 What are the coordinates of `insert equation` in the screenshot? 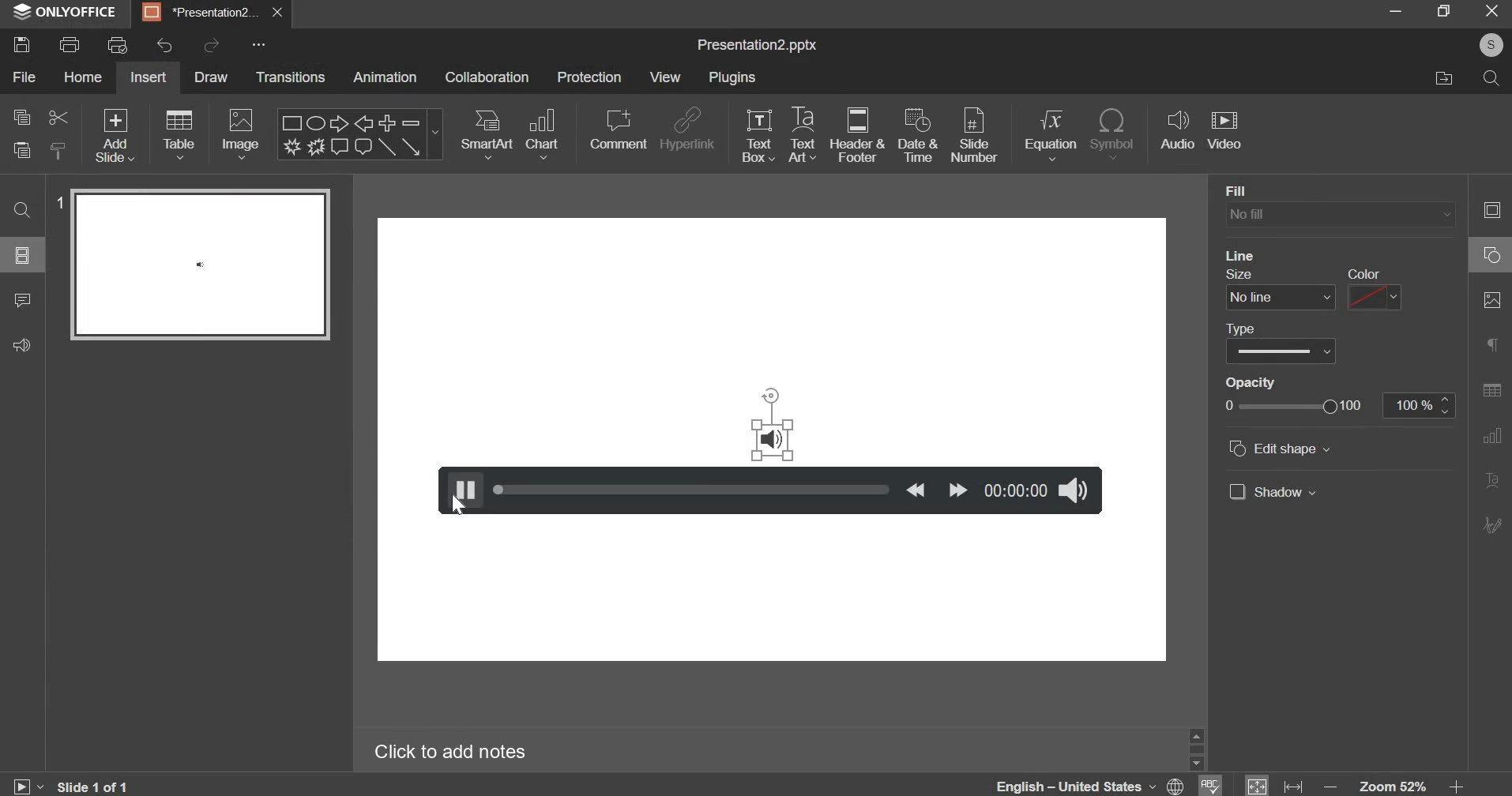 It's located at (1054, 135).